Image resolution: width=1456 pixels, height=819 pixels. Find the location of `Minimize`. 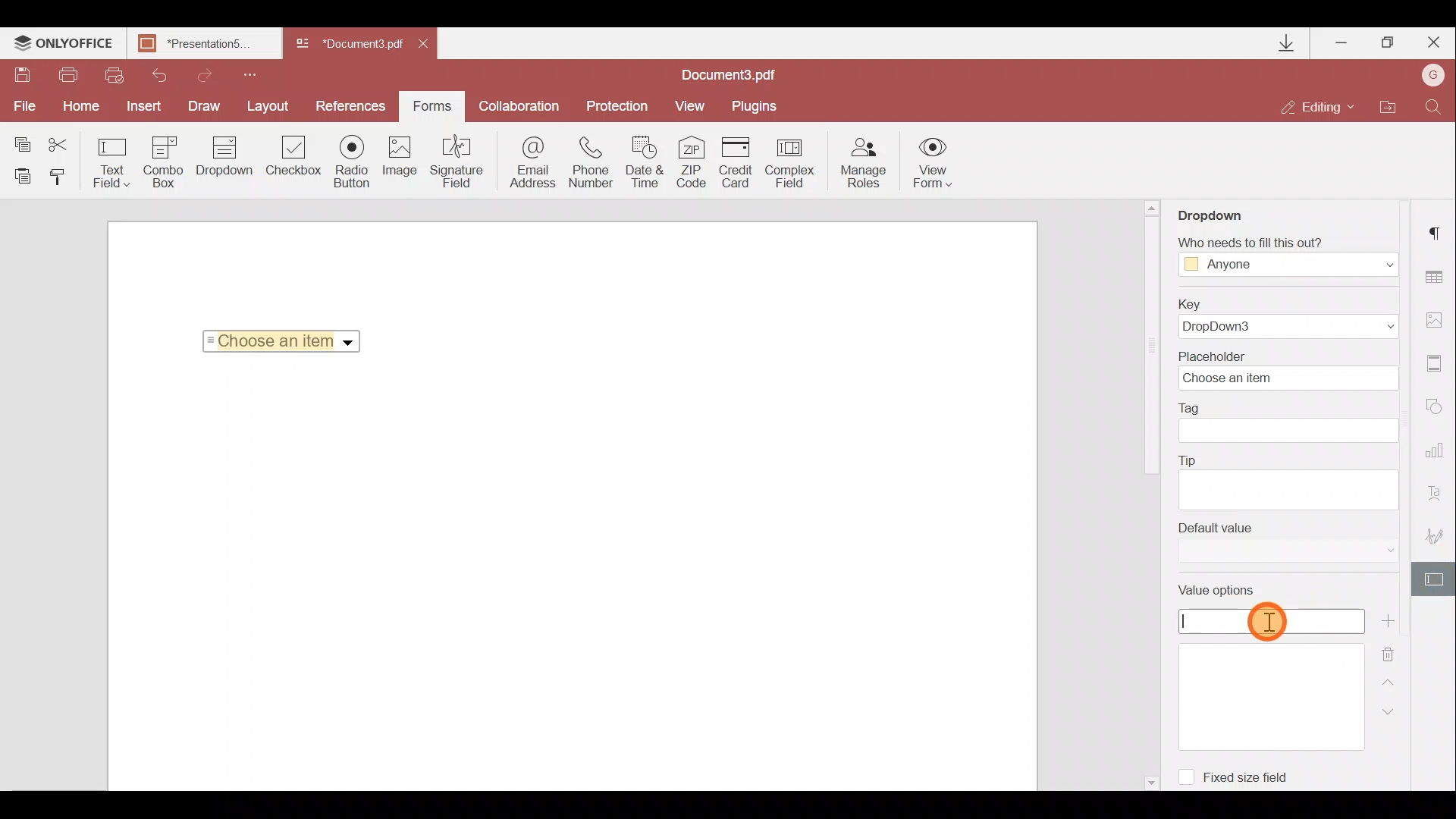

Minimize is located at coordinates (1339, 42).